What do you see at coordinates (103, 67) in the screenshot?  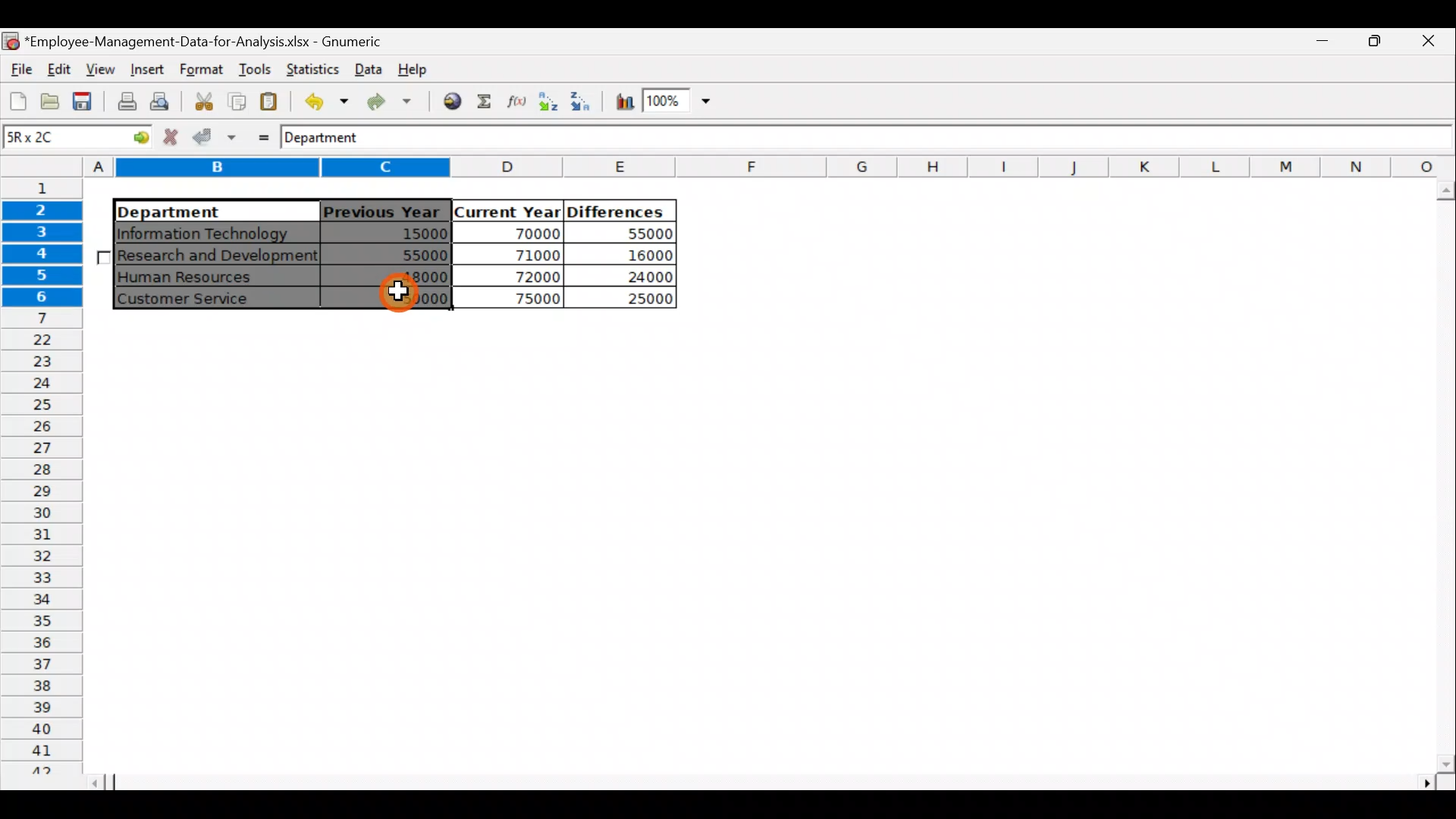 I see `View` at bounding box center [103, 67].